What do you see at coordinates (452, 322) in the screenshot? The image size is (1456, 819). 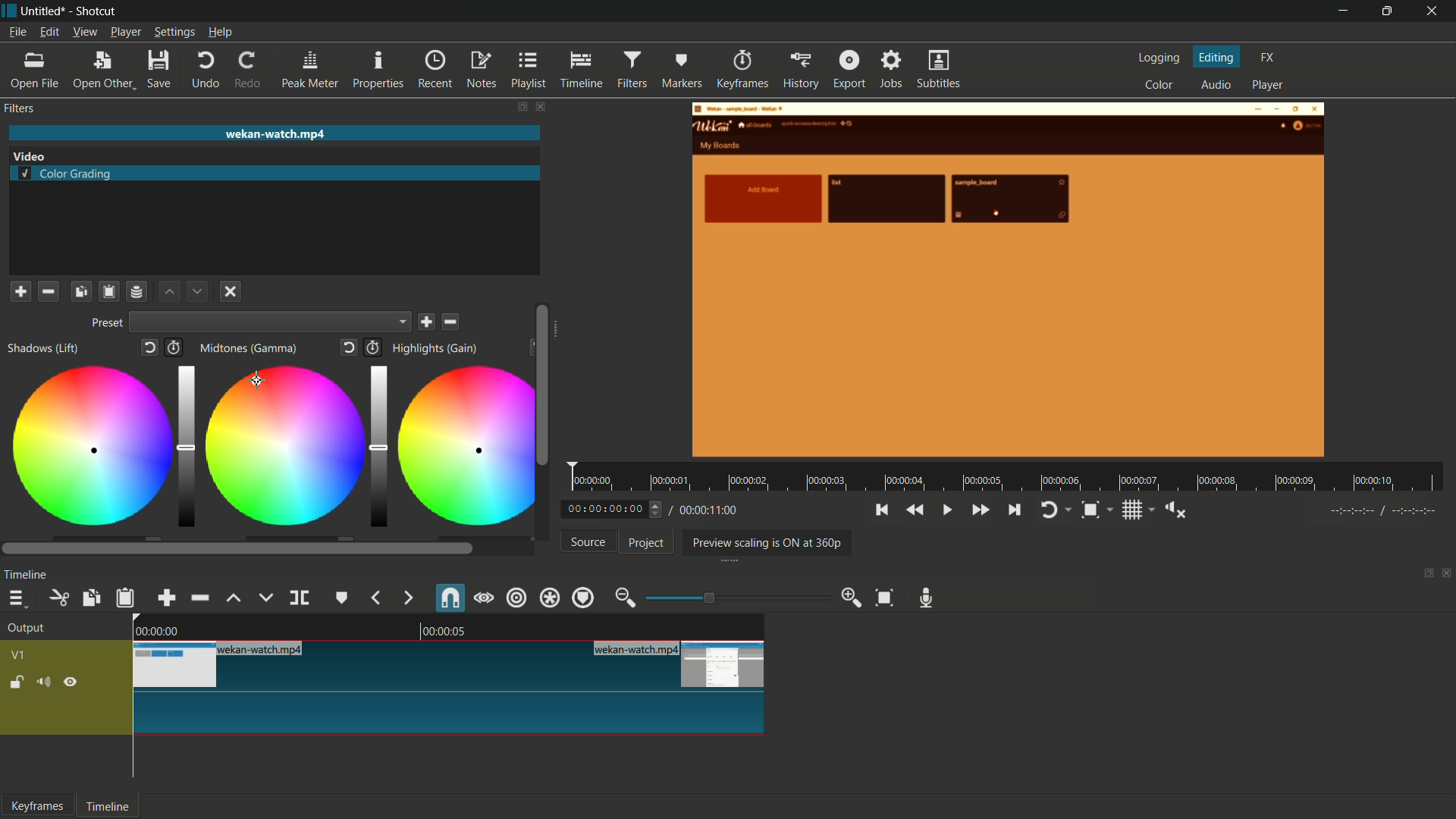 I see `delete` at bounding box center [452, 322].